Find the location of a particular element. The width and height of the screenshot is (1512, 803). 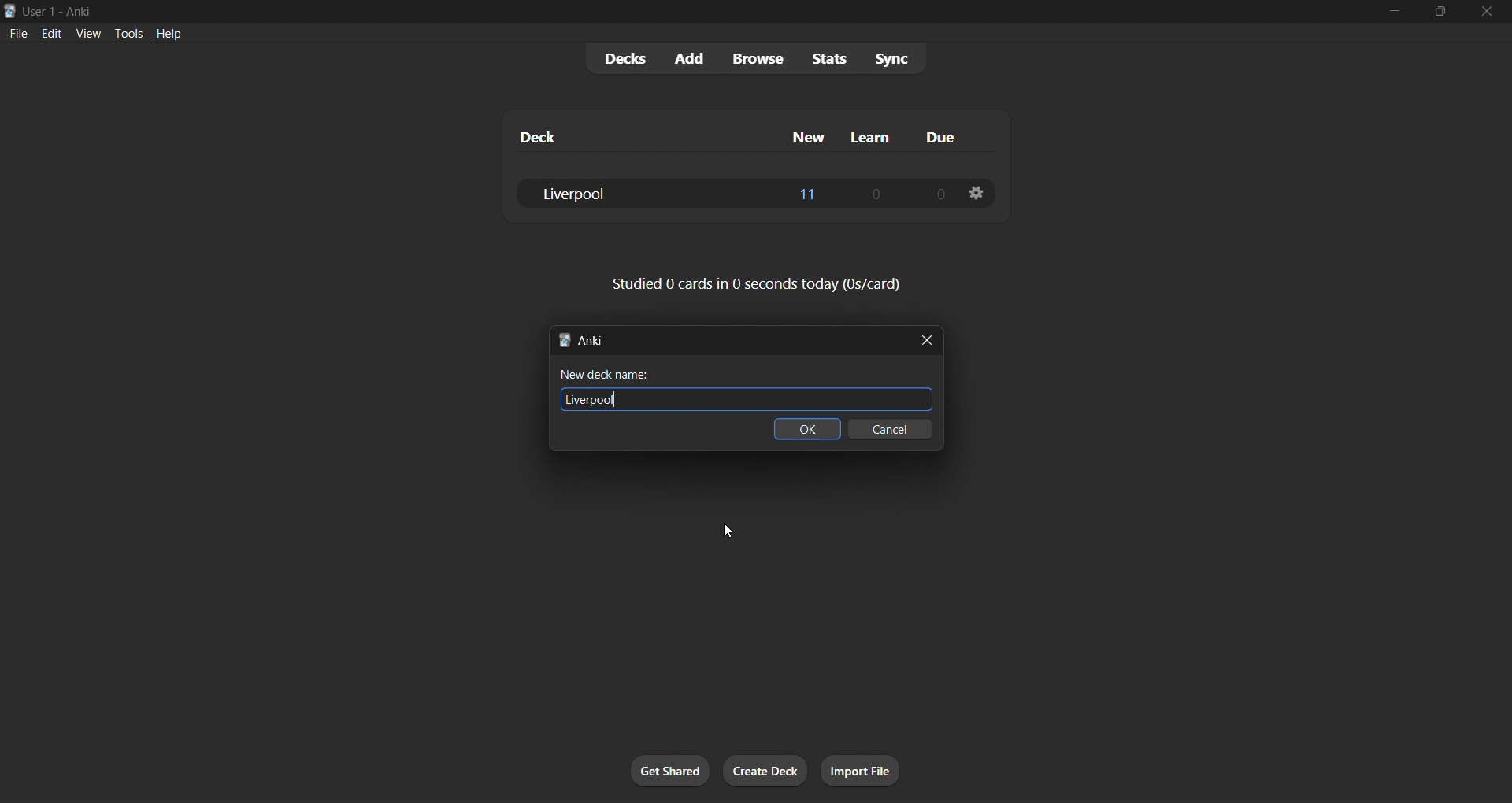

 is located at coordinates (891, 56).